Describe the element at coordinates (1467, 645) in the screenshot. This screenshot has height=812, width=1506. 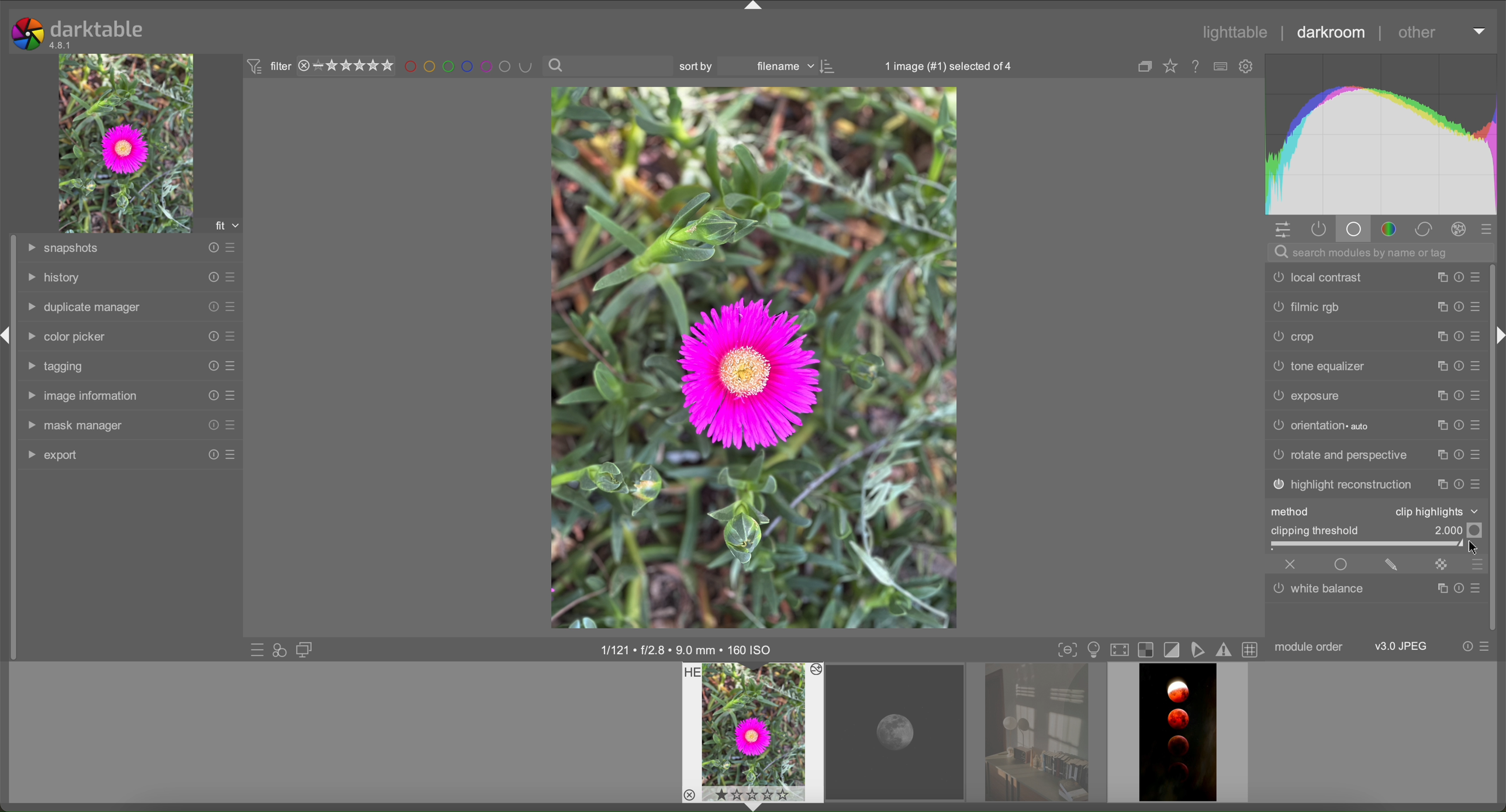
I see `reset presets` at that location.